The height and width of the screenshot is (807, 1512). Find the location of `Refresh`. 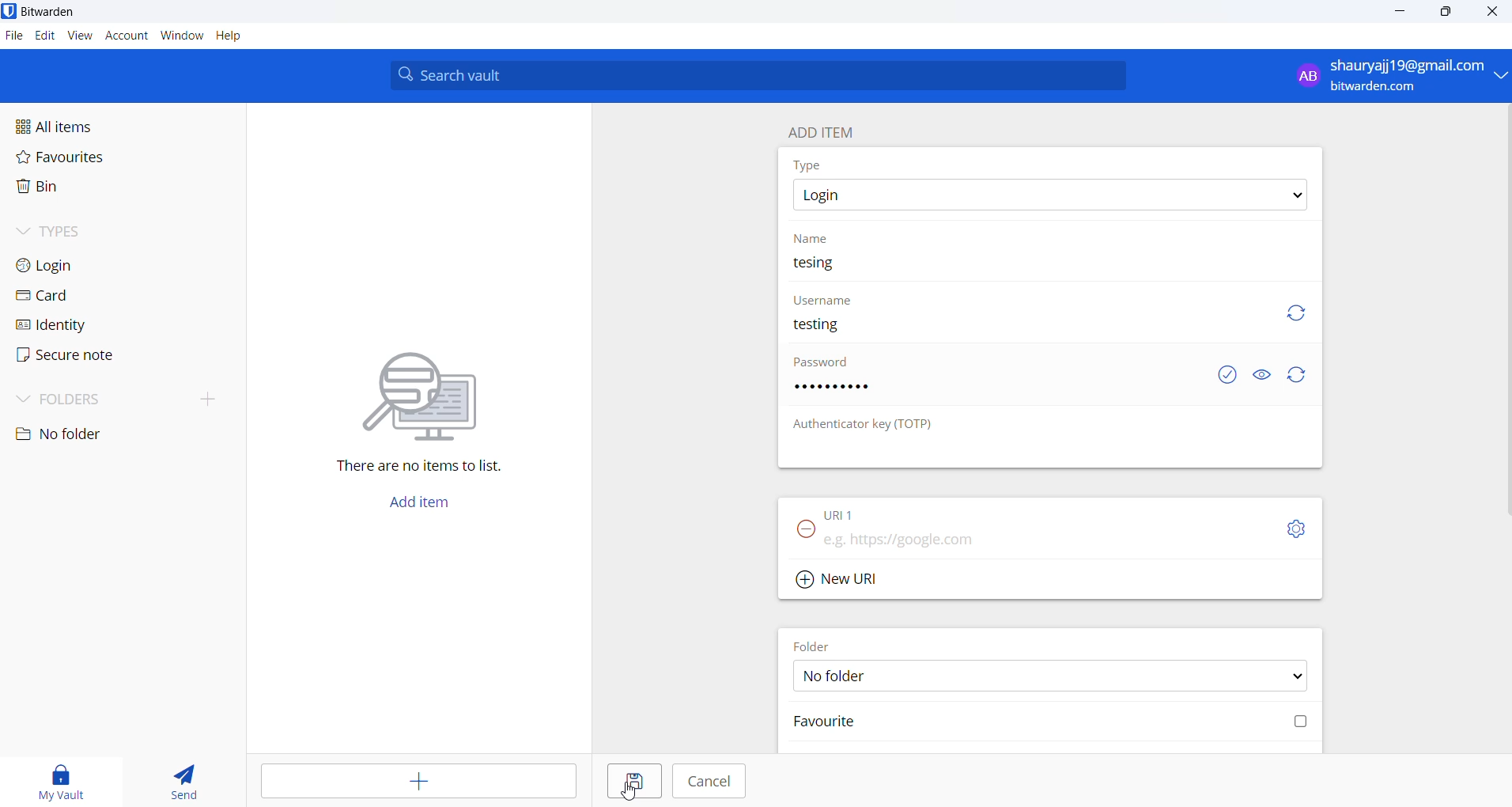

Refresh is located at coordinates (1305, 375).